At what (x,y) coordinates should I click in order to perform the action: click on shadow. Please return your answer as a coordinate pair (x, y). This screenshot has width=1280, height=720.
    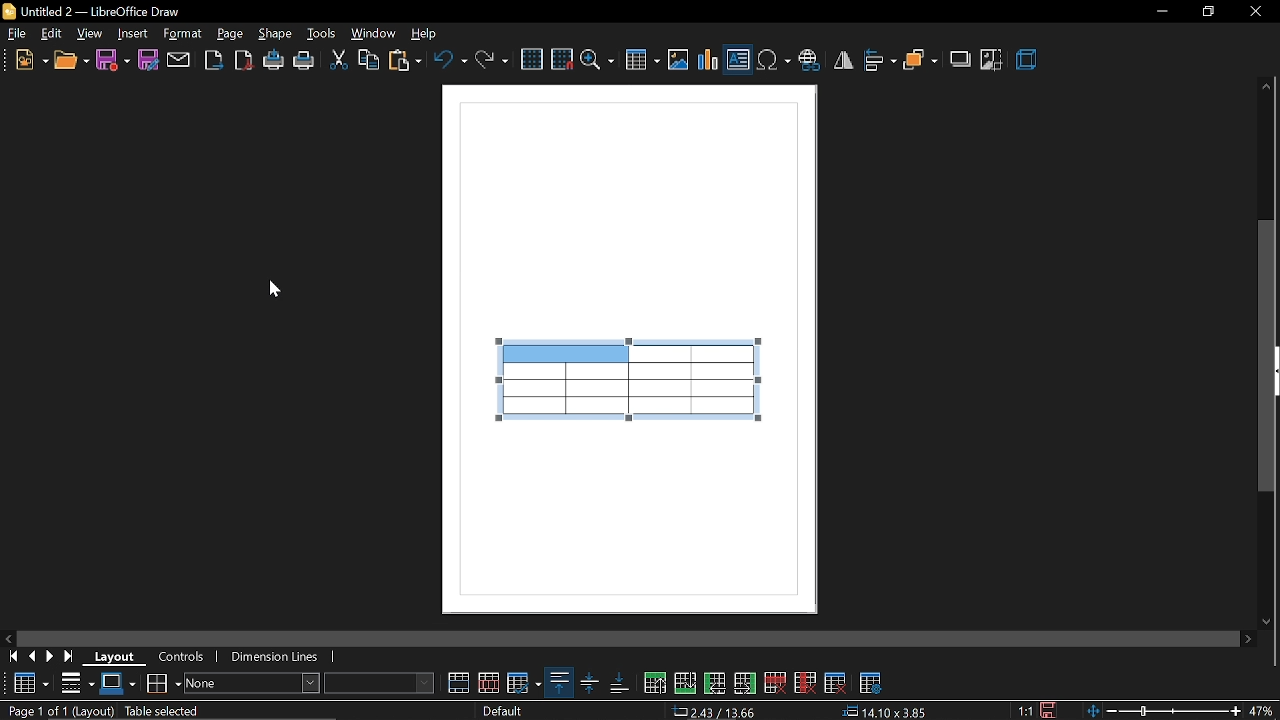
    Looking at the image, I should click on (958, 60).